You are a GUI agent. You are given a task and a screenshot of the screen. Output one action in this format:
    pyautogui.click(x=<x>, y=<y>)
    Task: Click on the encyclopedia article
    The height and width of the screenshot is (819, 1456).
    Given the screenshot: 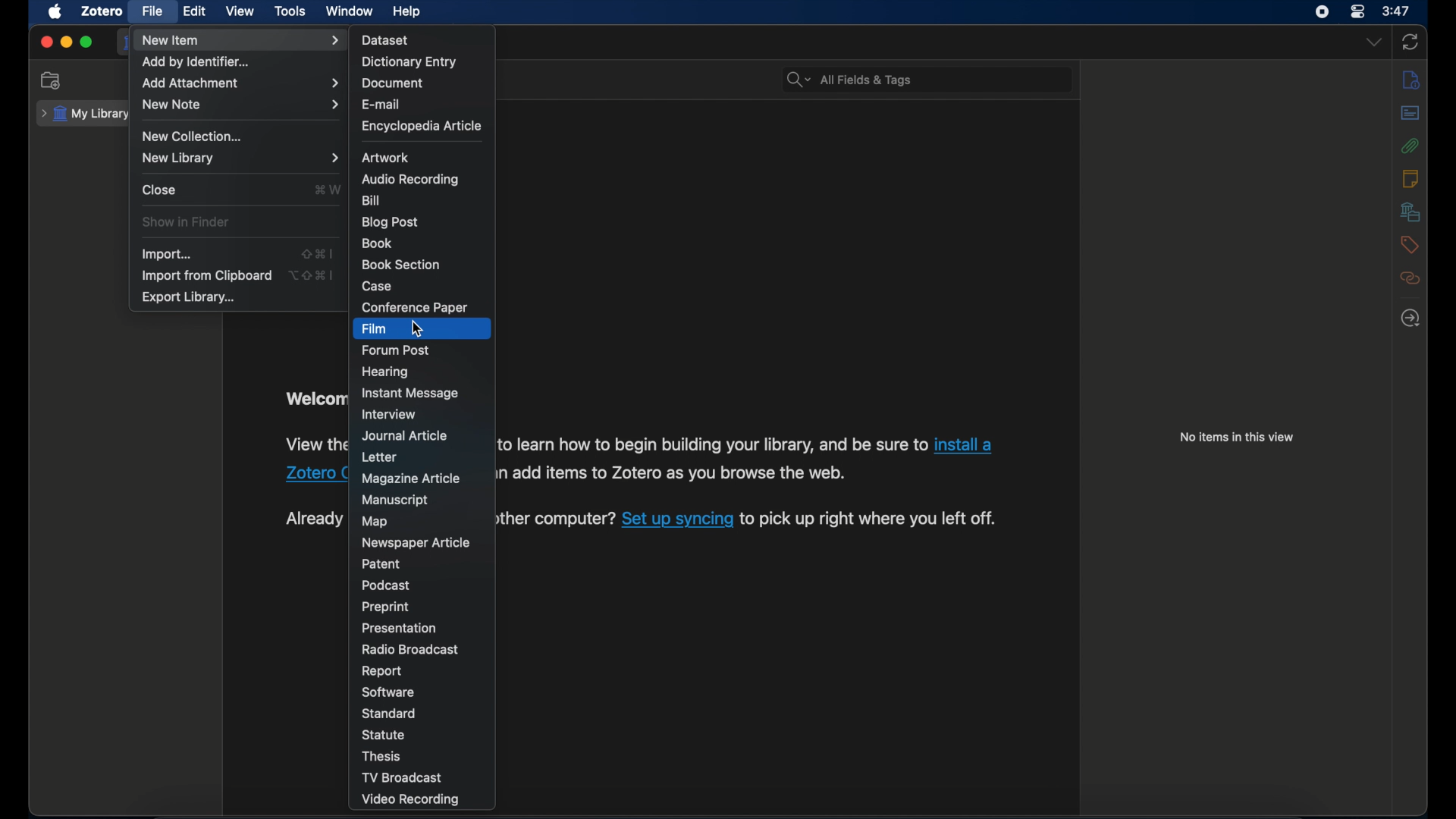 What is the action you would take?
    pyautogui.click(x=420, y=127)
    